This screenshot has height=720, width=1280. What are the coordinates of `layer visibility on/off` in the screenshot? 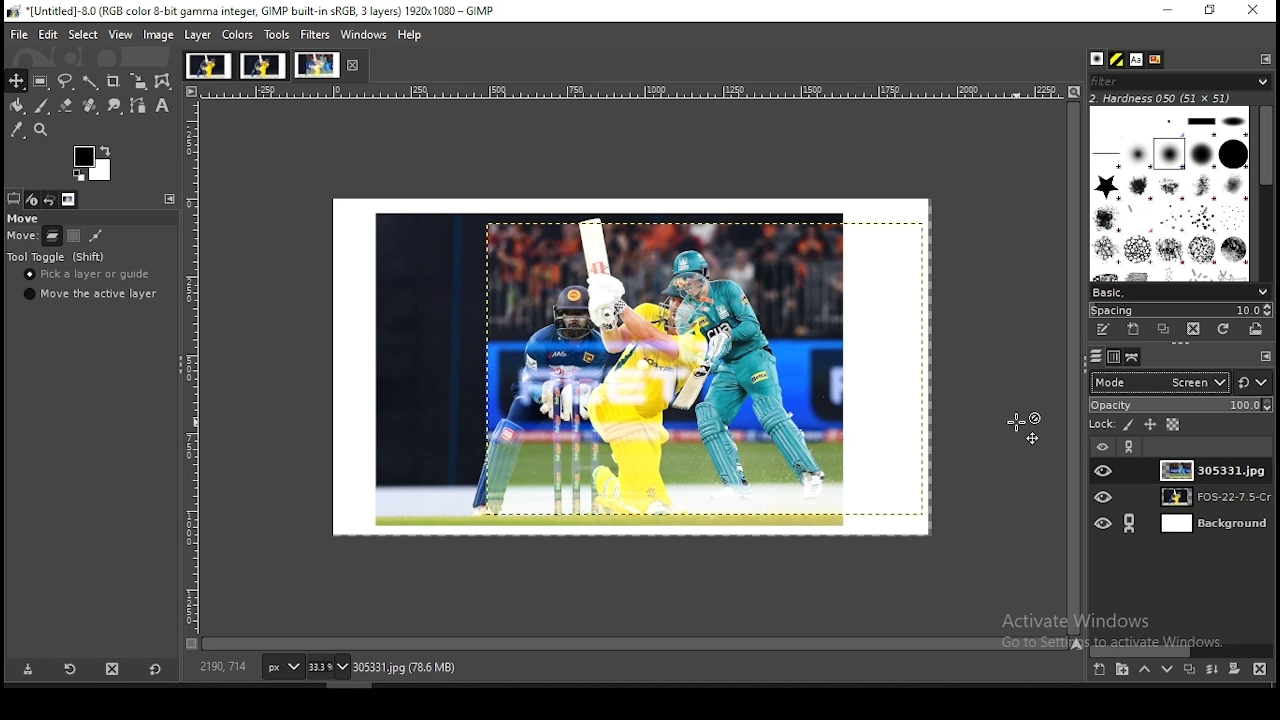 It's located at (1104, 525).